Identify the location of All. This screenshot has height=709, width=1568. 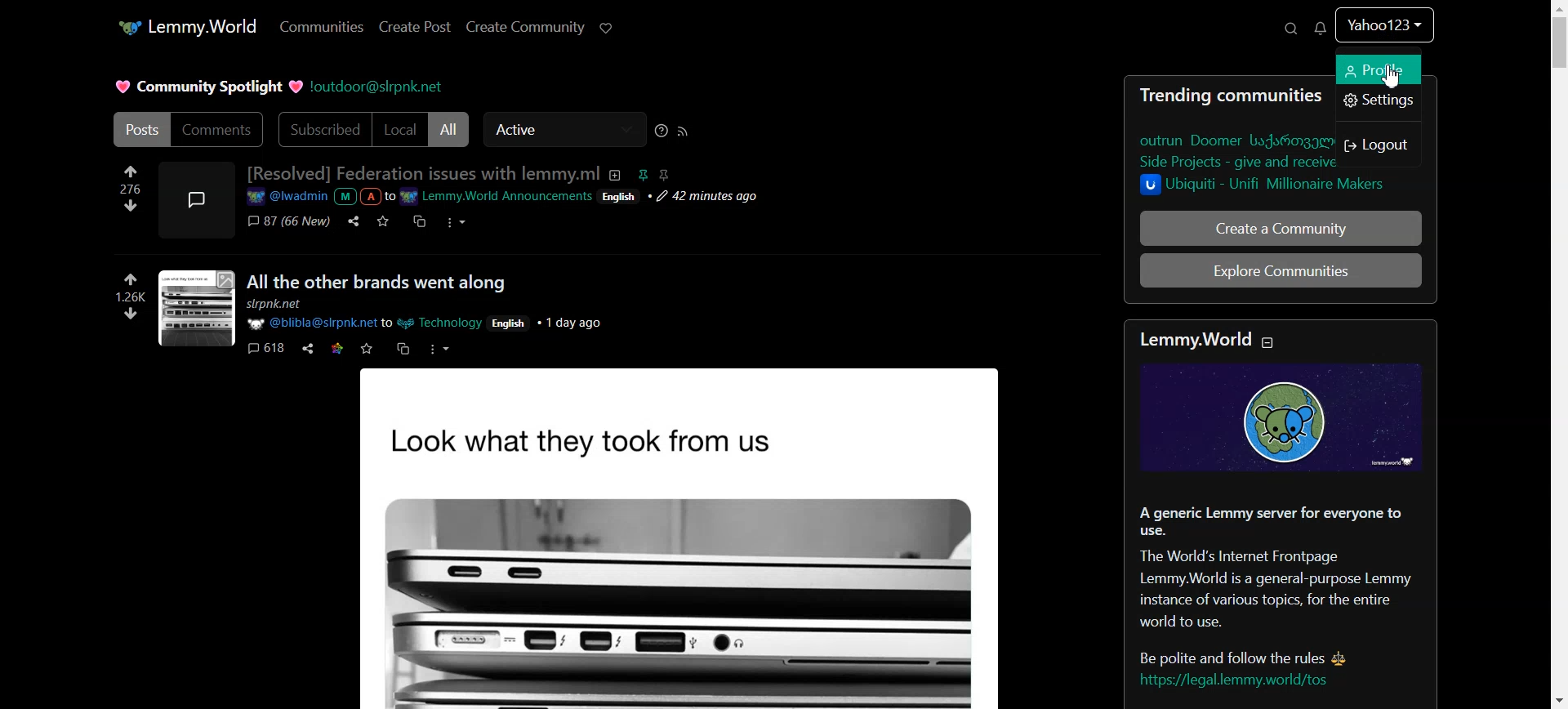
(448, 129).